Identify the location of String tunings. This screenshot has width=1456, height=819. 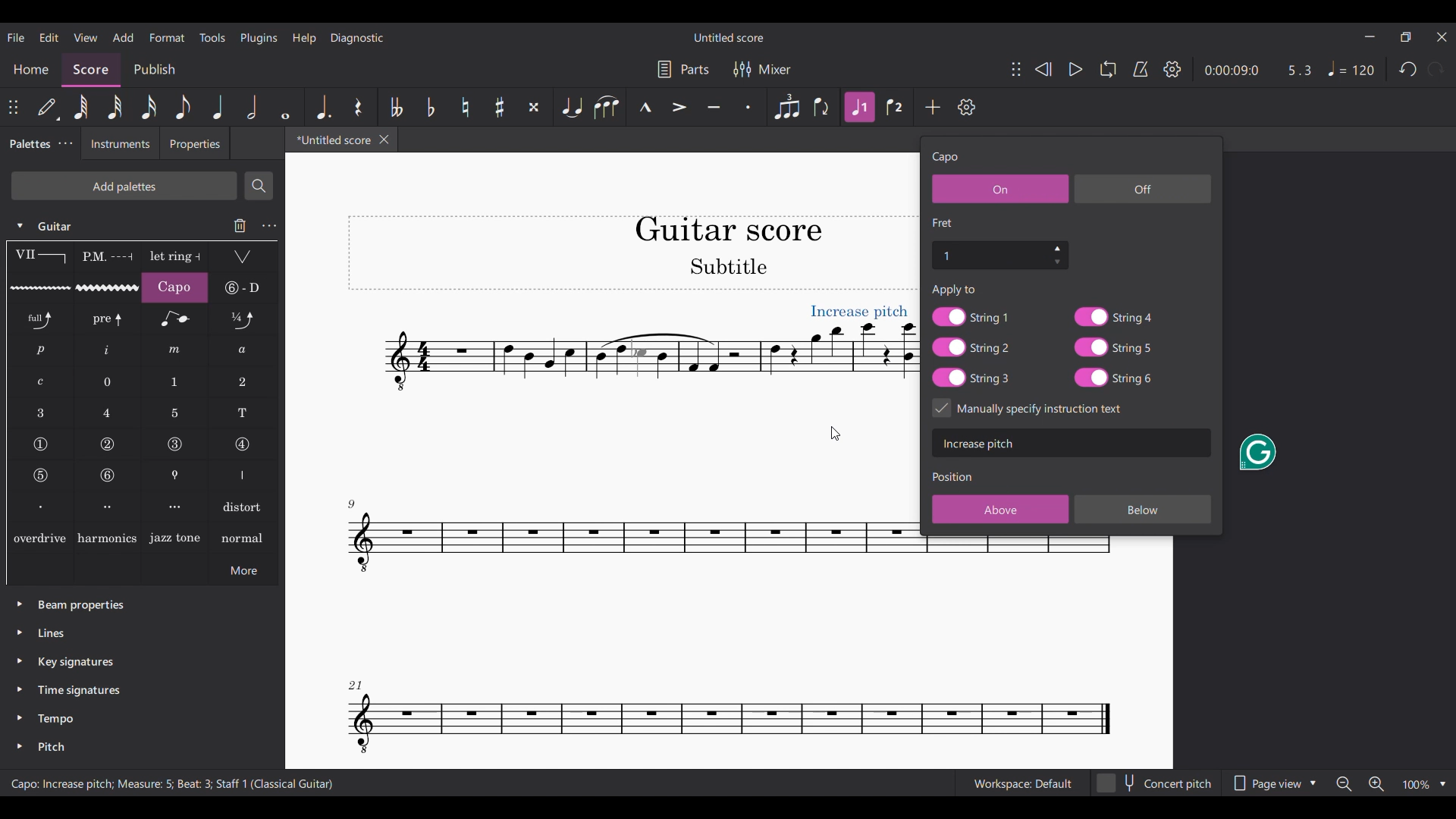
(243, 287).